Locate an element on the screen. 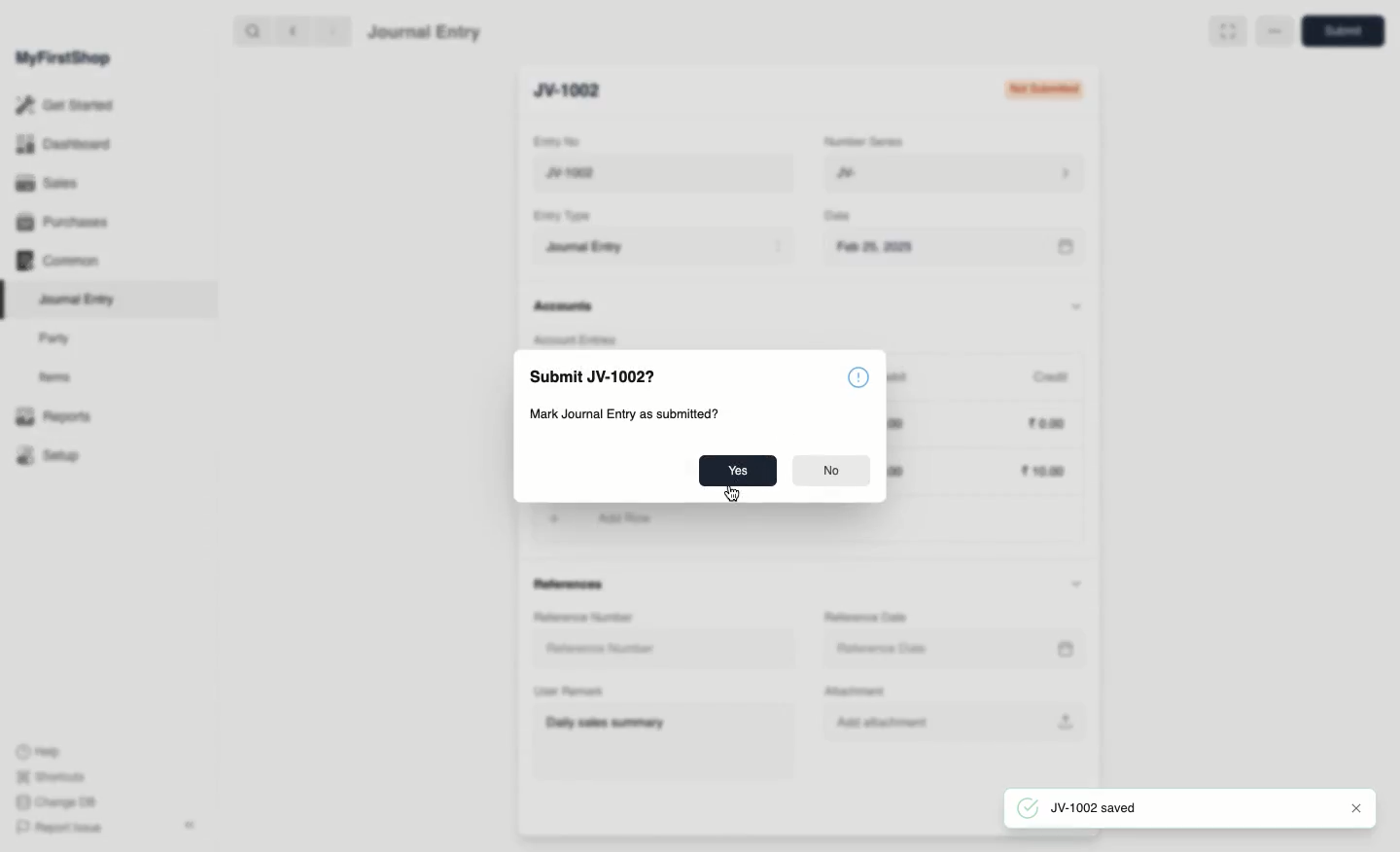 This screenshot has height=852, width=1400. Shortcuts is located at coordinates (48, 775).